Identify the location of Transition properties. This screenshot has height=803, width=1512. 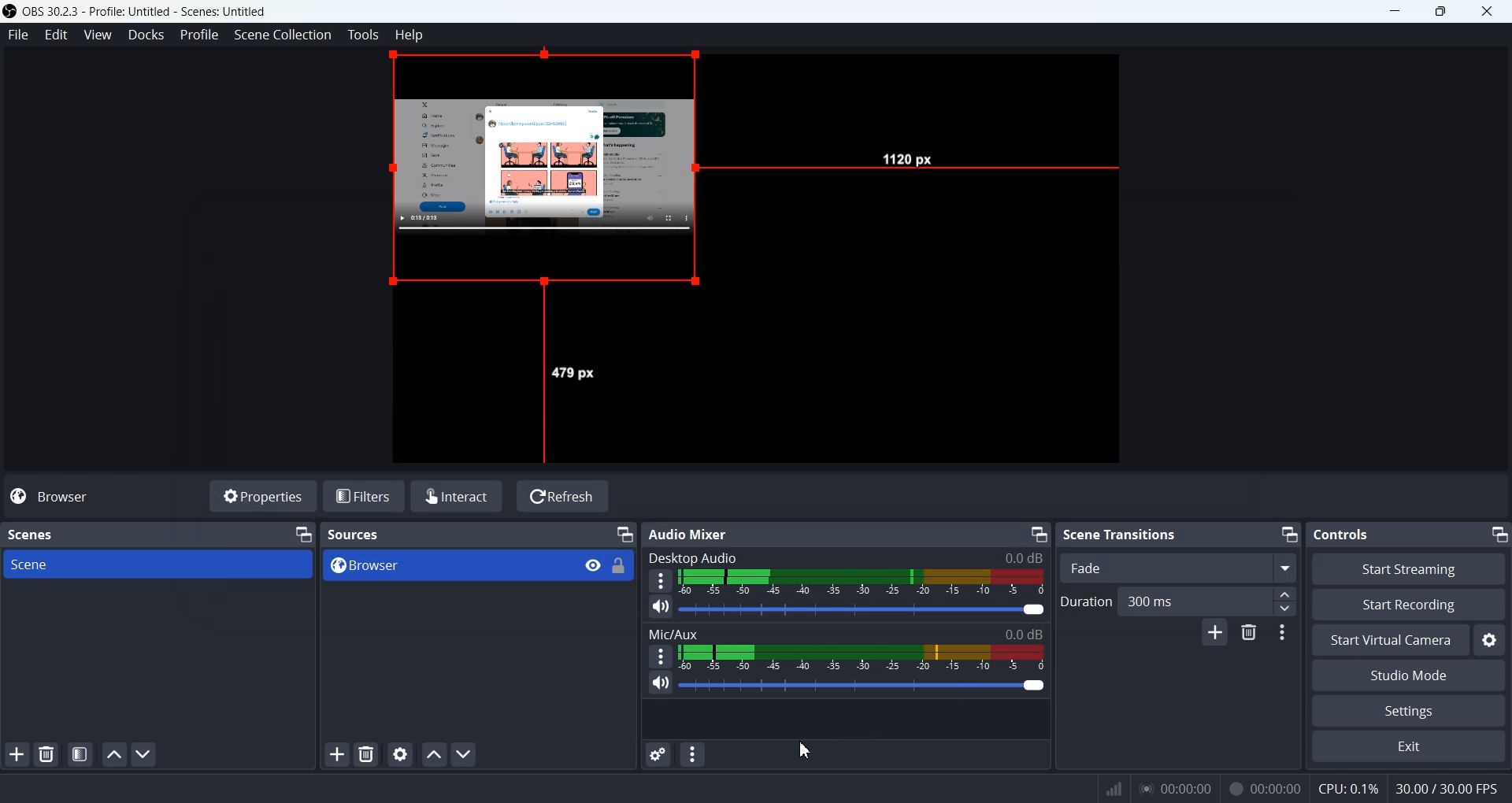
(1285, 635).